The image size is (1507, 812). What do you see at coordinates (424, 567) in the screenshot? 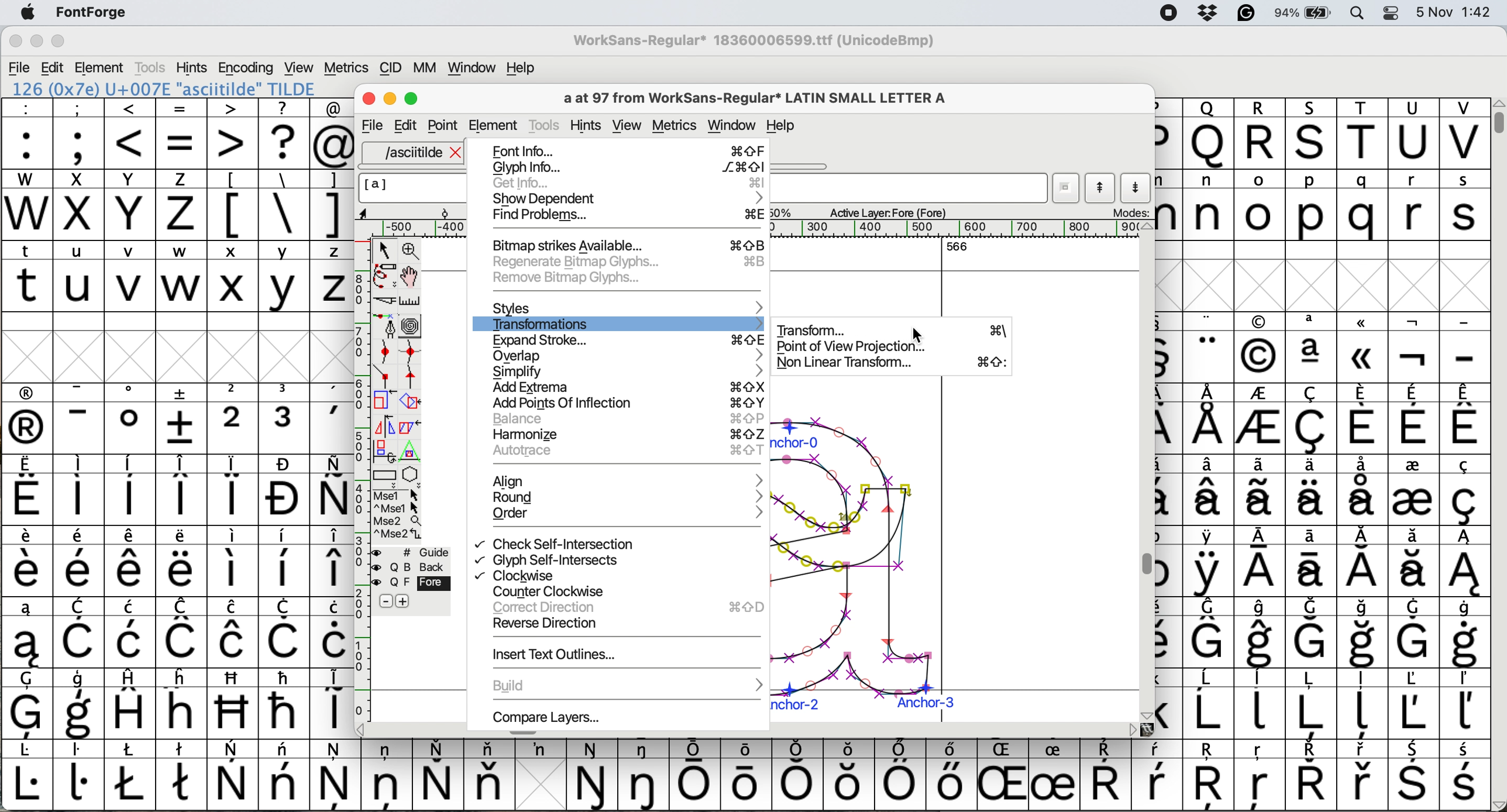
I see `Background` at bounding box center [424, 567].